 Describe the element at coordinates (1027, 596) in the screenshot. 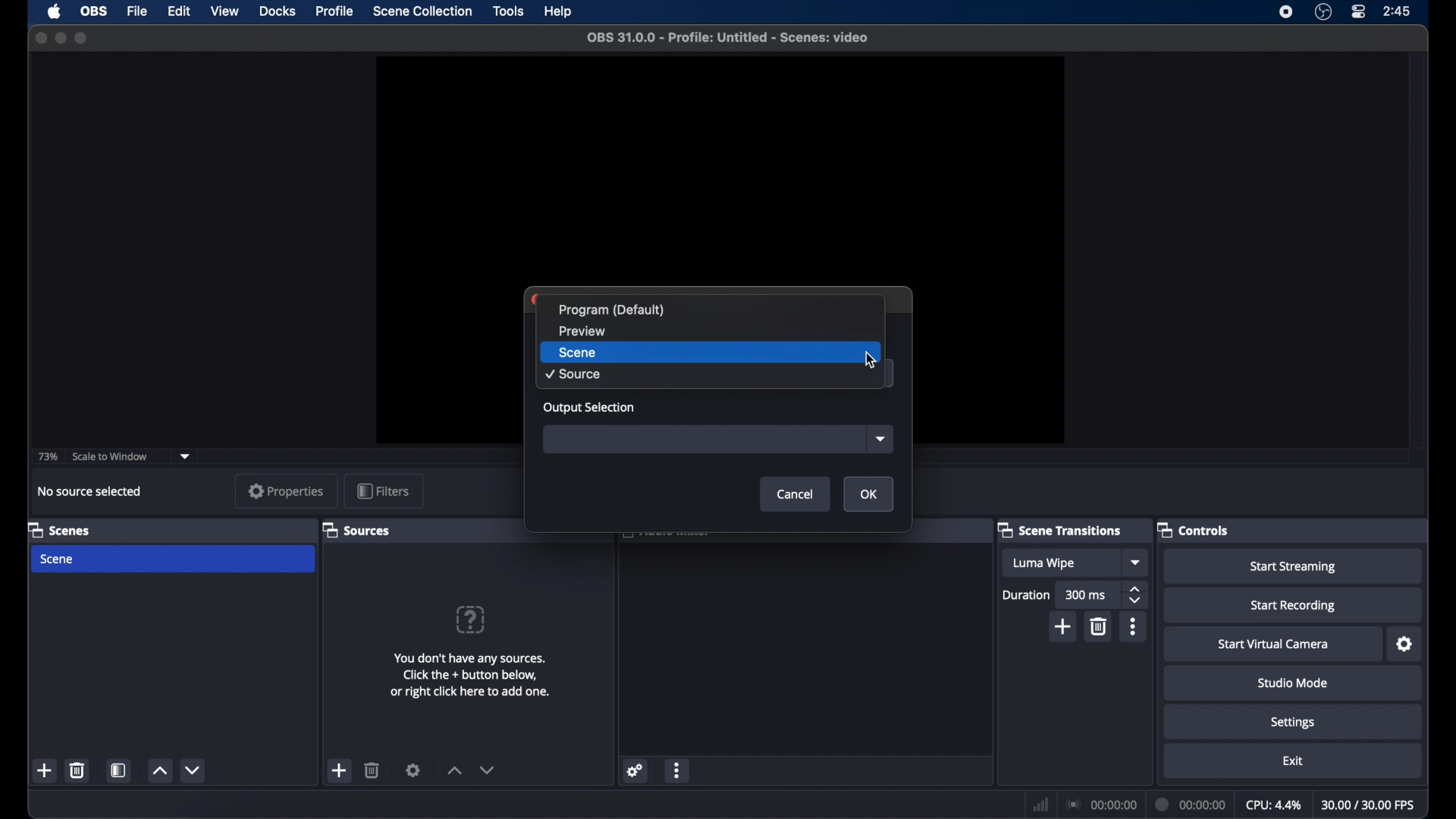

I see `duration` at that location.